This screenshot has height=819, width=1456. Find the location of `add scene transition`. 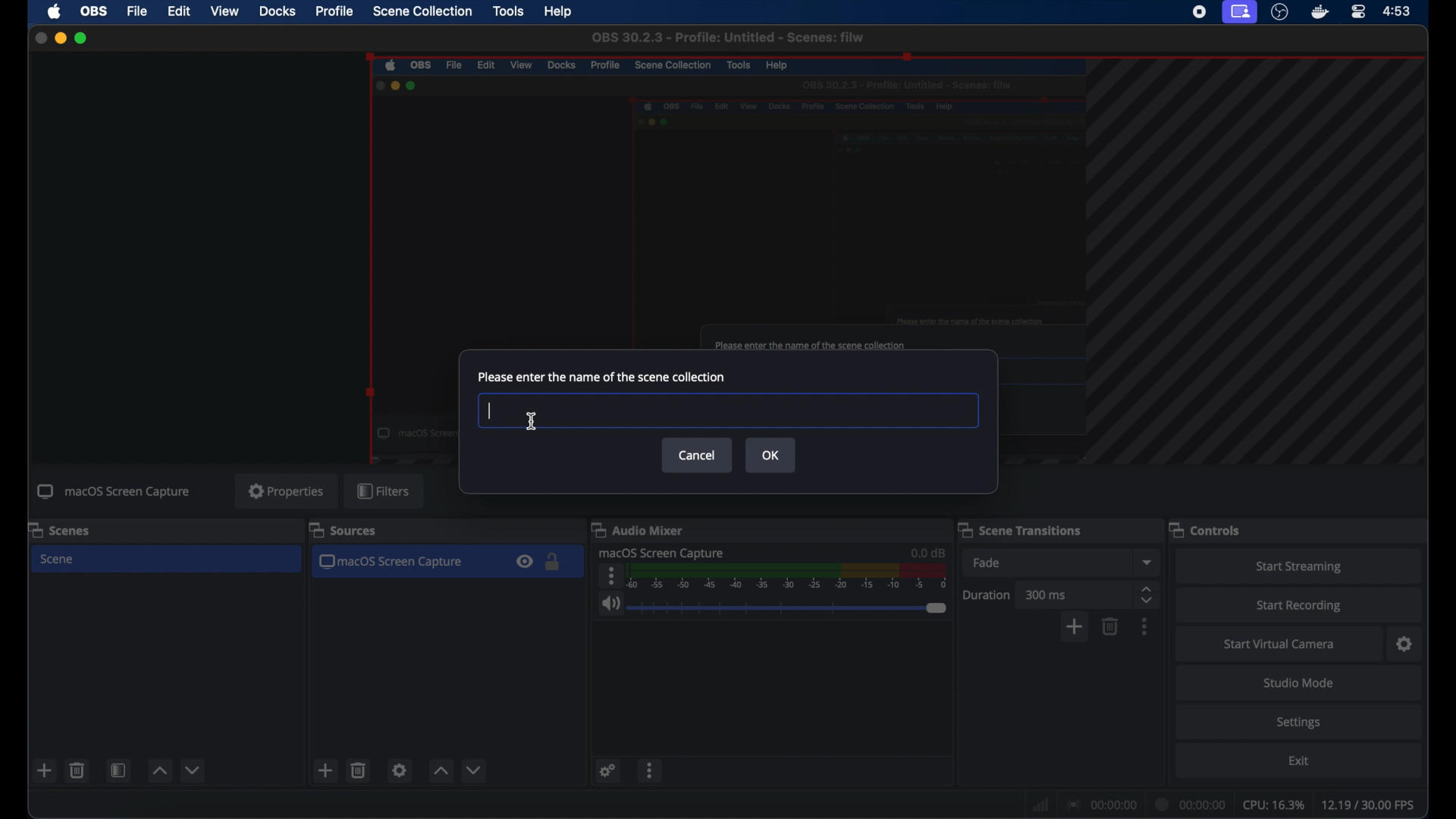

add scene transition is located at coordinates (1075, 628).